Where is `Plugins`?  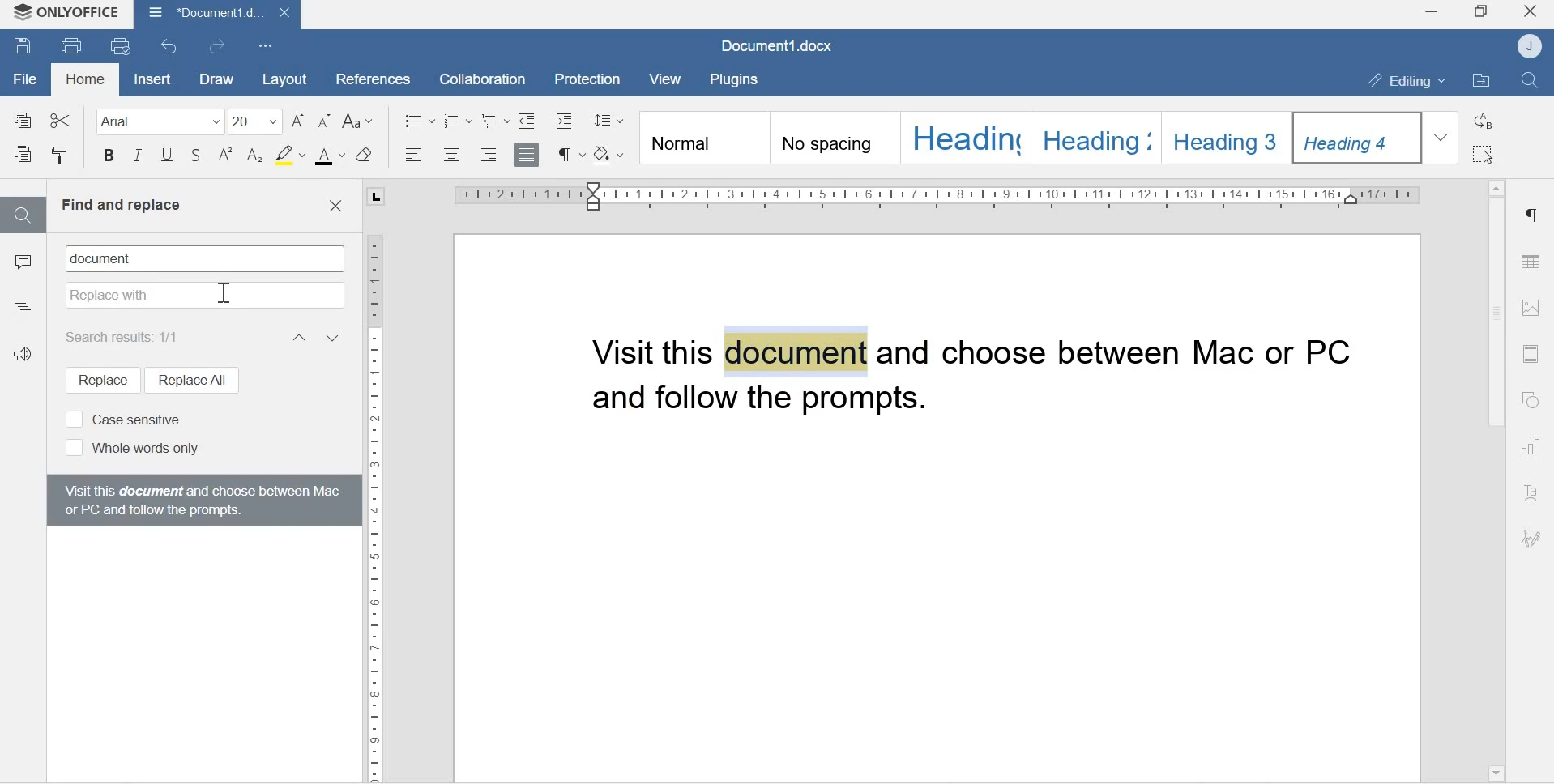 Plugins is located at coordinates (738, 78).